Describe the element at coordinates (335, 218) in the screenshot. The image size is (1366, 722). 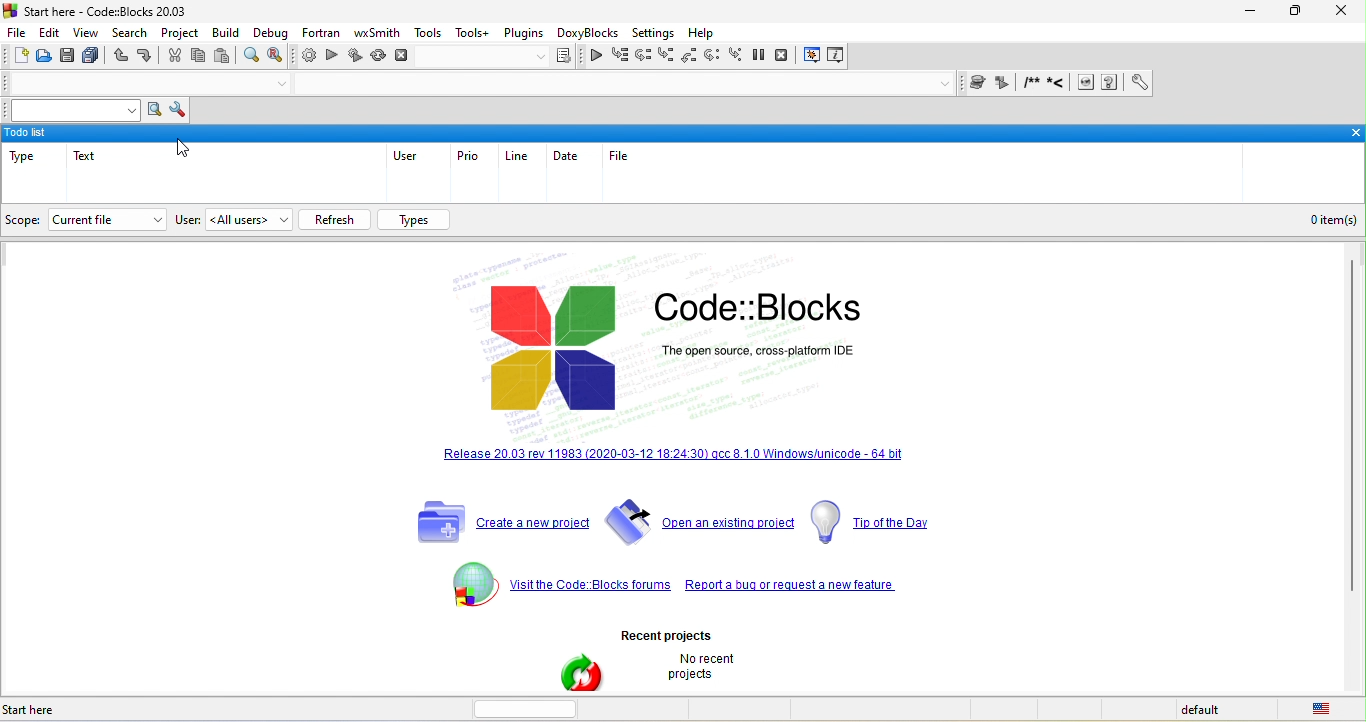
I see `refresh` at that location.